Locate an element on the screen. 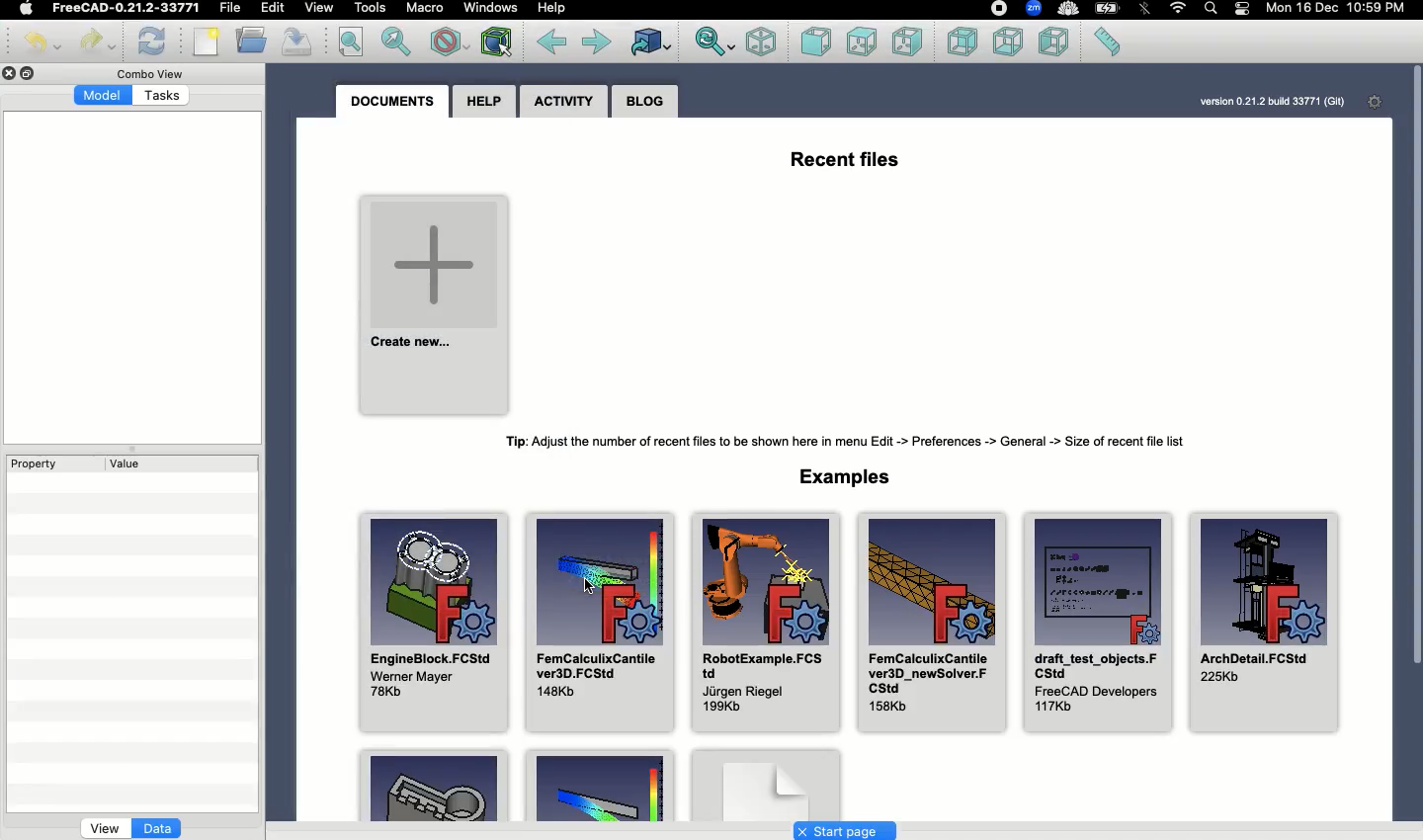 This screenshot has height=840, width=1423. Recent files is located at coordinates (842, 155).